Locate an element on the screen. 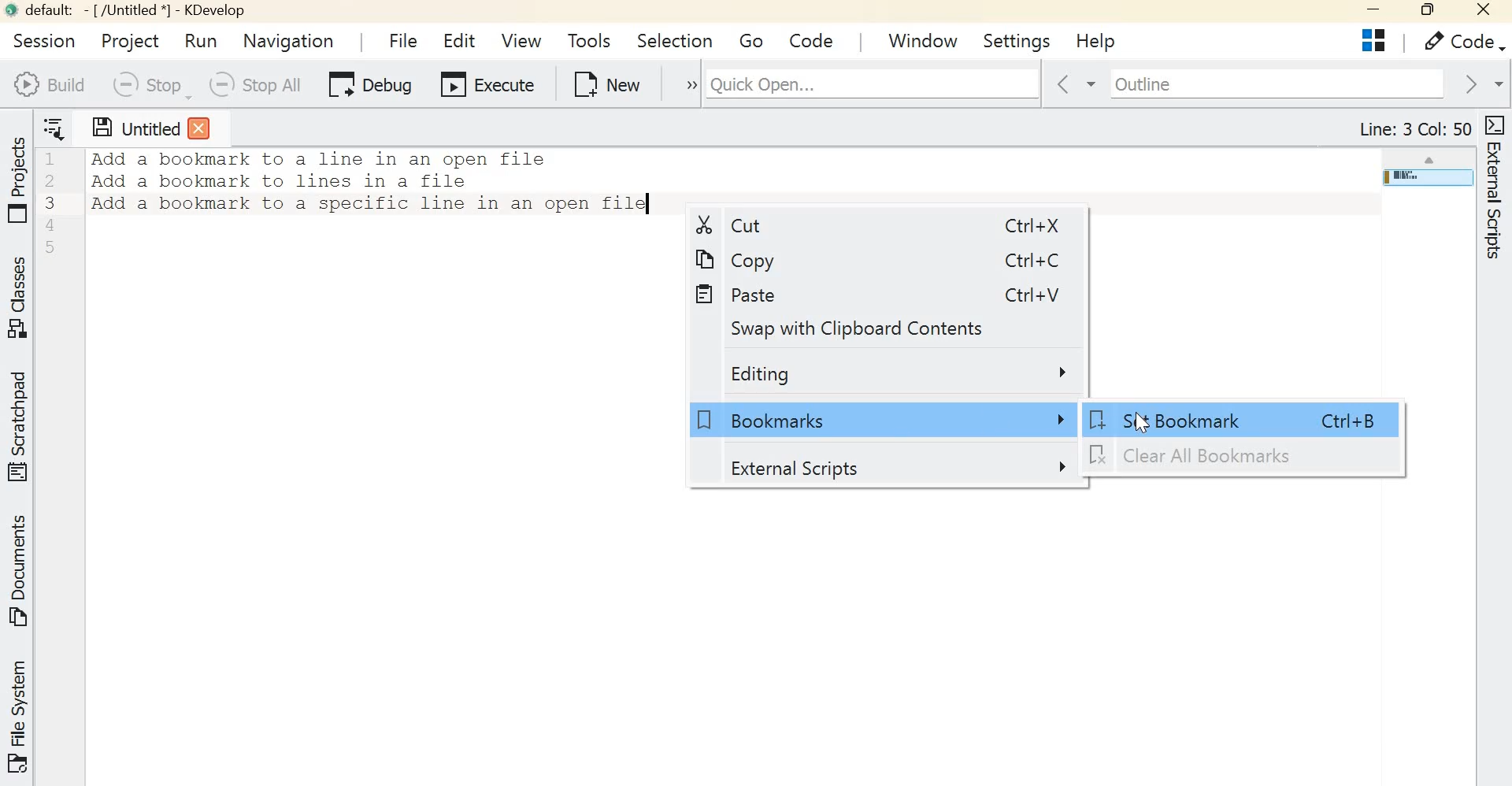 This screenshot has width=1512, height=786. Set bookmark is located at coordinates (1177, 418).